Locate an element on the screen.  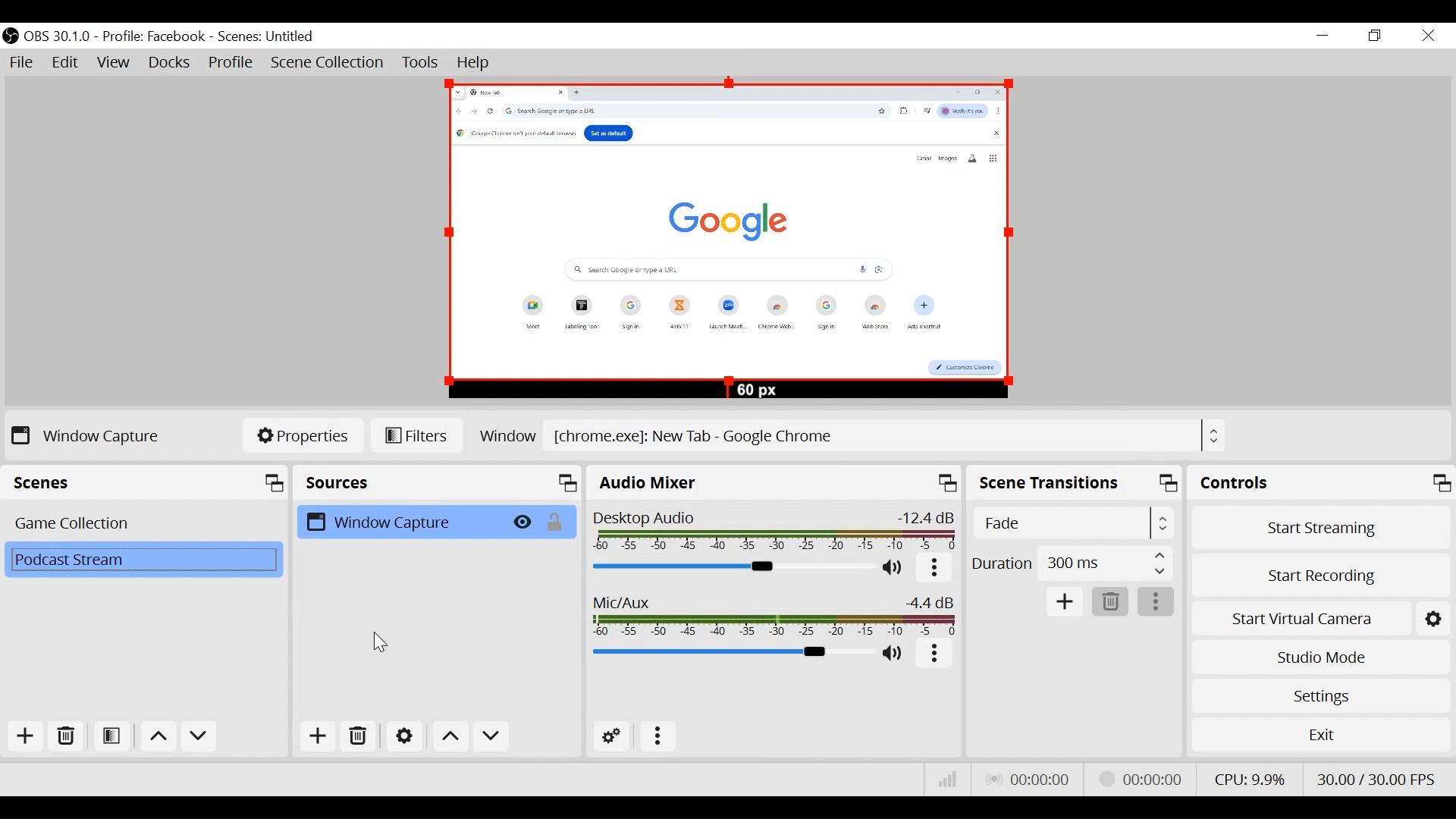
(un)mute is located at coordinates (894, 654).